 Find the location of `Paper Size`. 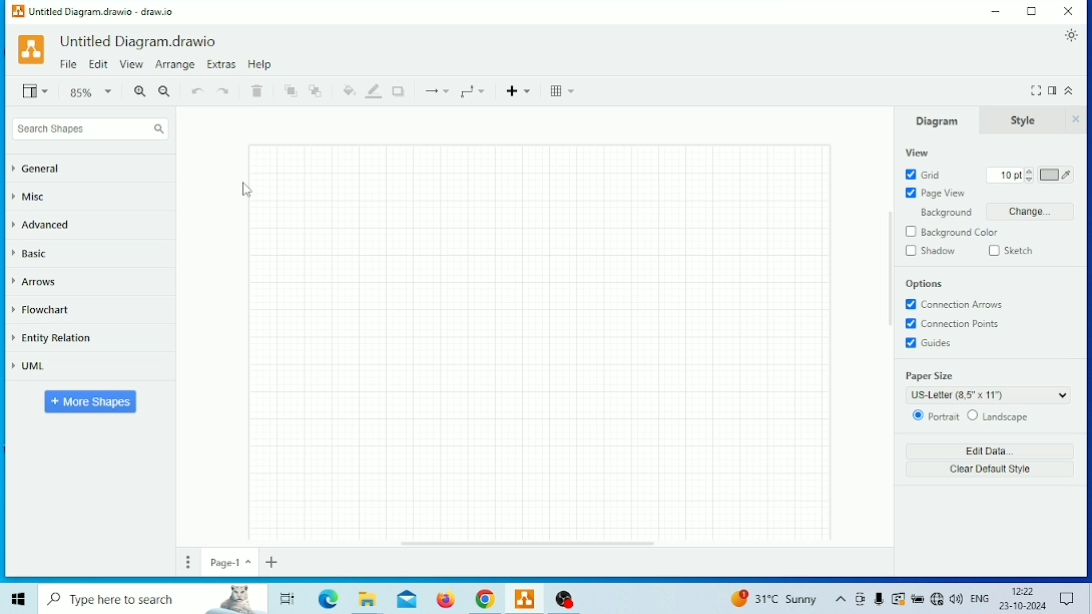

Paper Size is located at coordinates (987, 386).